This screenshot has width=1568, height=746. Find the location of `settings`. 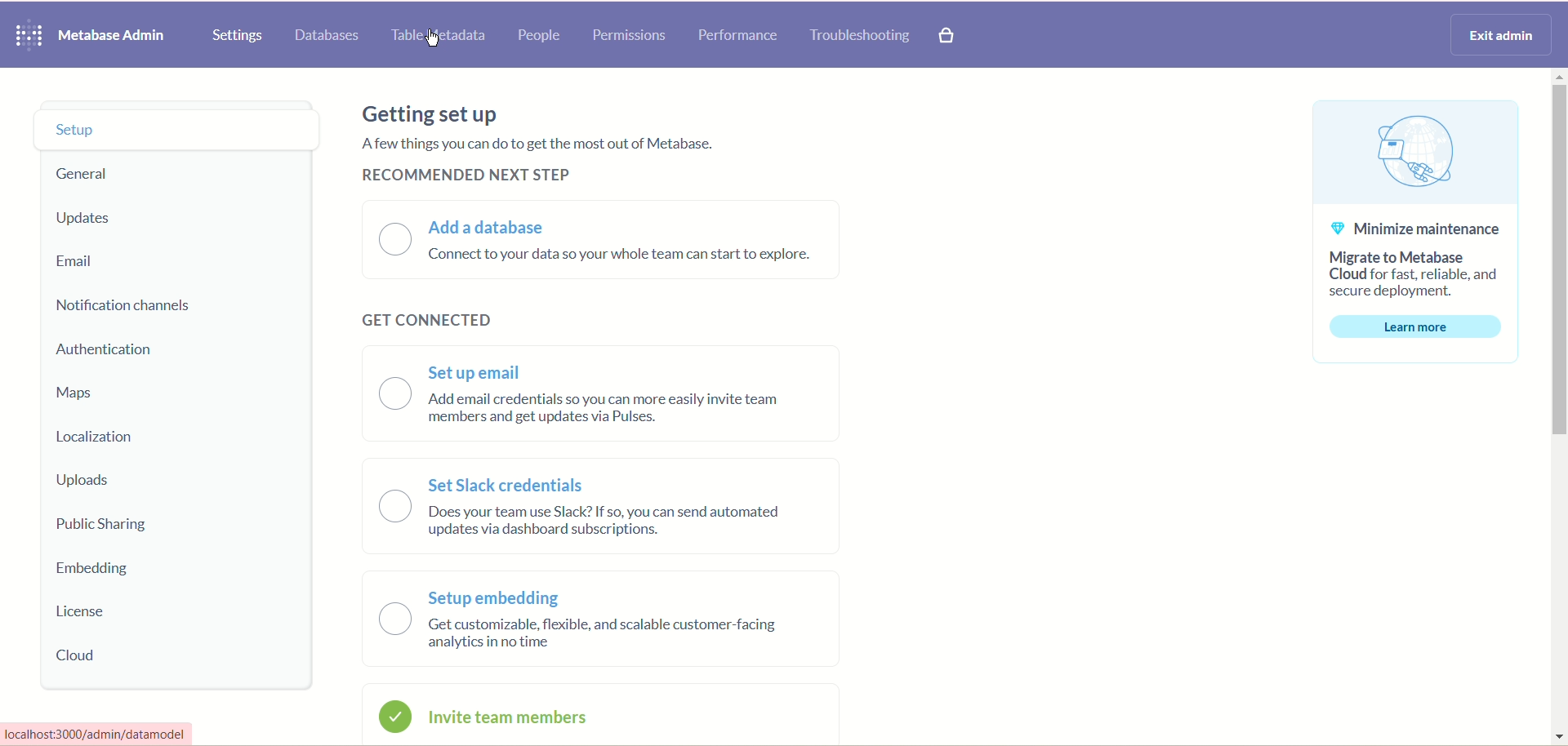

settings is located at coordinates (237, 37).